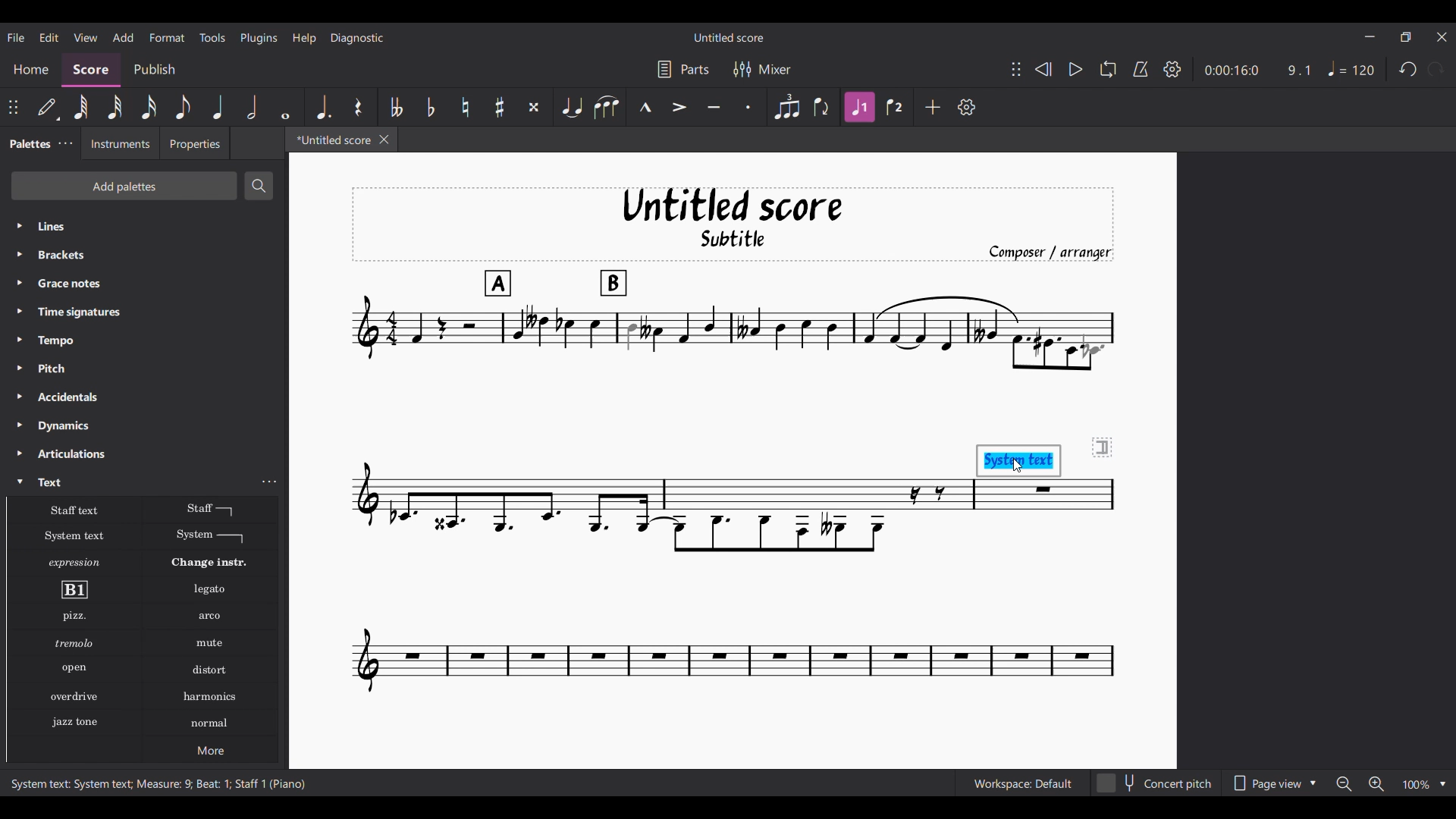 The width and height of the screenshot is (1456, 819). What do you see at coordinates (1108, 69) in the screenshot?
I see `Loop playback` at bounding box center [1108, 69].